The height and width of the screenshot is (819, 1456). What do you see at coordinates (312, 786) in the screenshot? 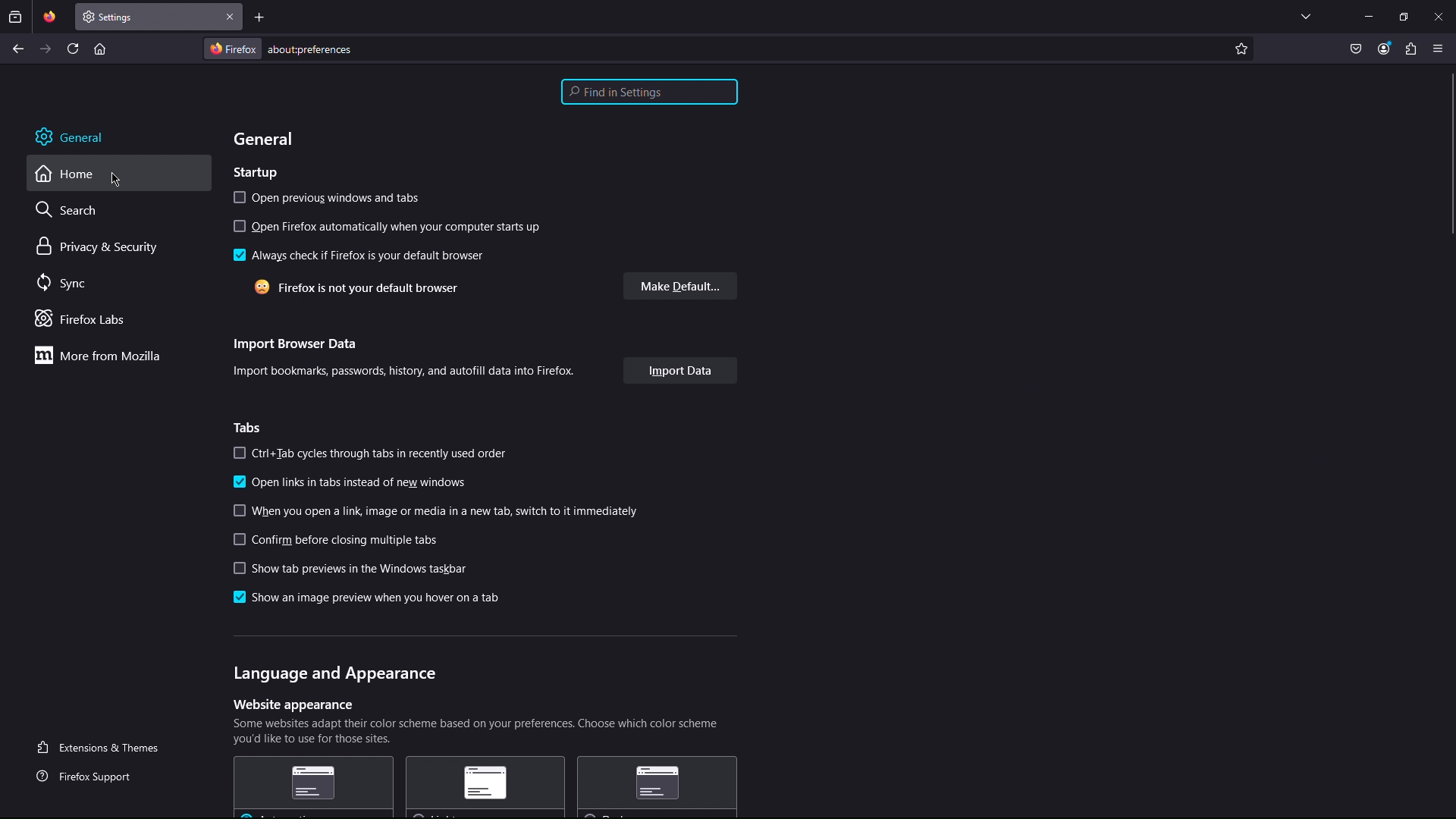
I see `Appearance options 1` at bounding box center [312, 786].